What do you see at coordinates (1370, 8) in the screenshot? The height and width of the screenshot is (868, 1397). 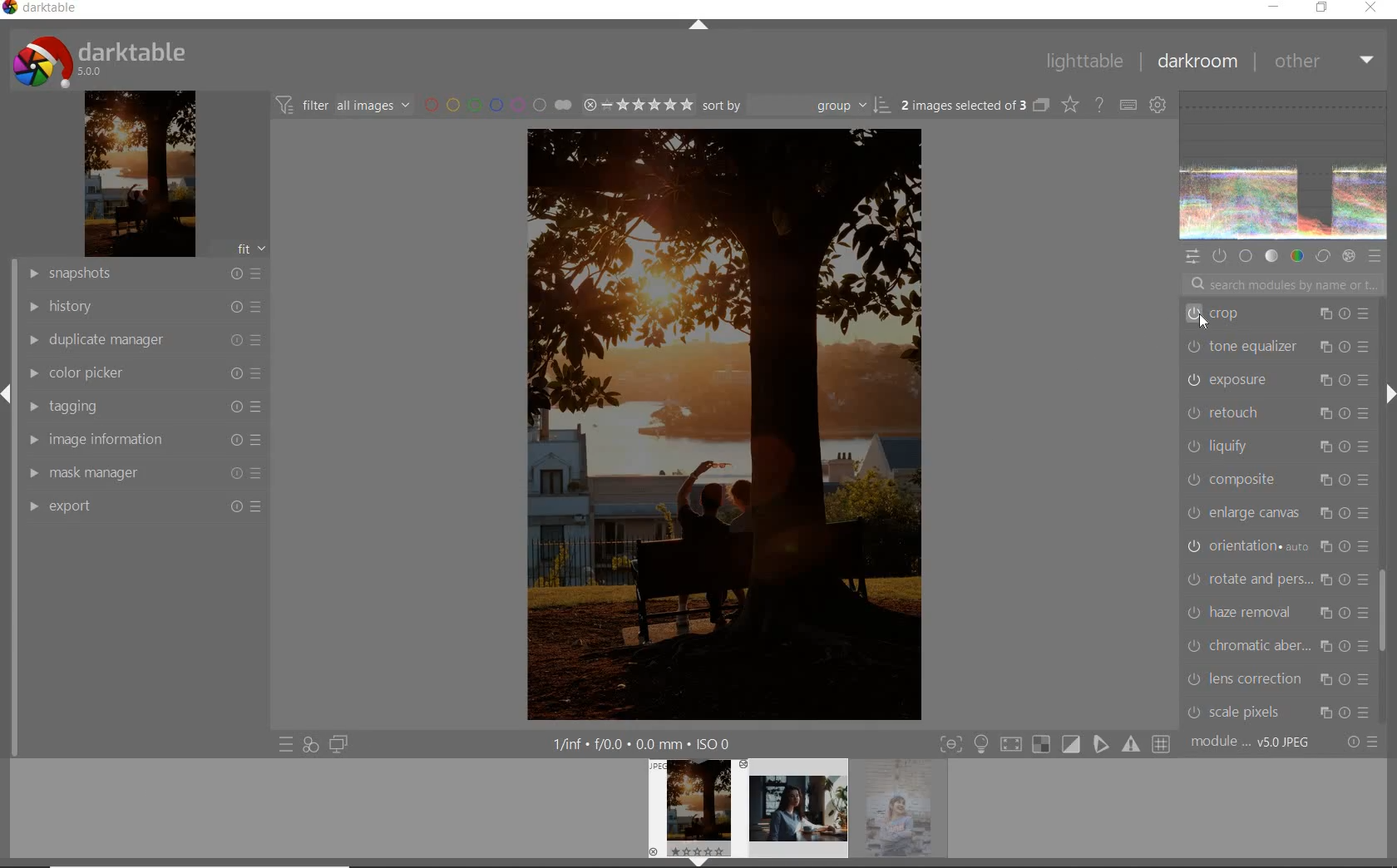 I see `close` at bounding box center [1370, 8].